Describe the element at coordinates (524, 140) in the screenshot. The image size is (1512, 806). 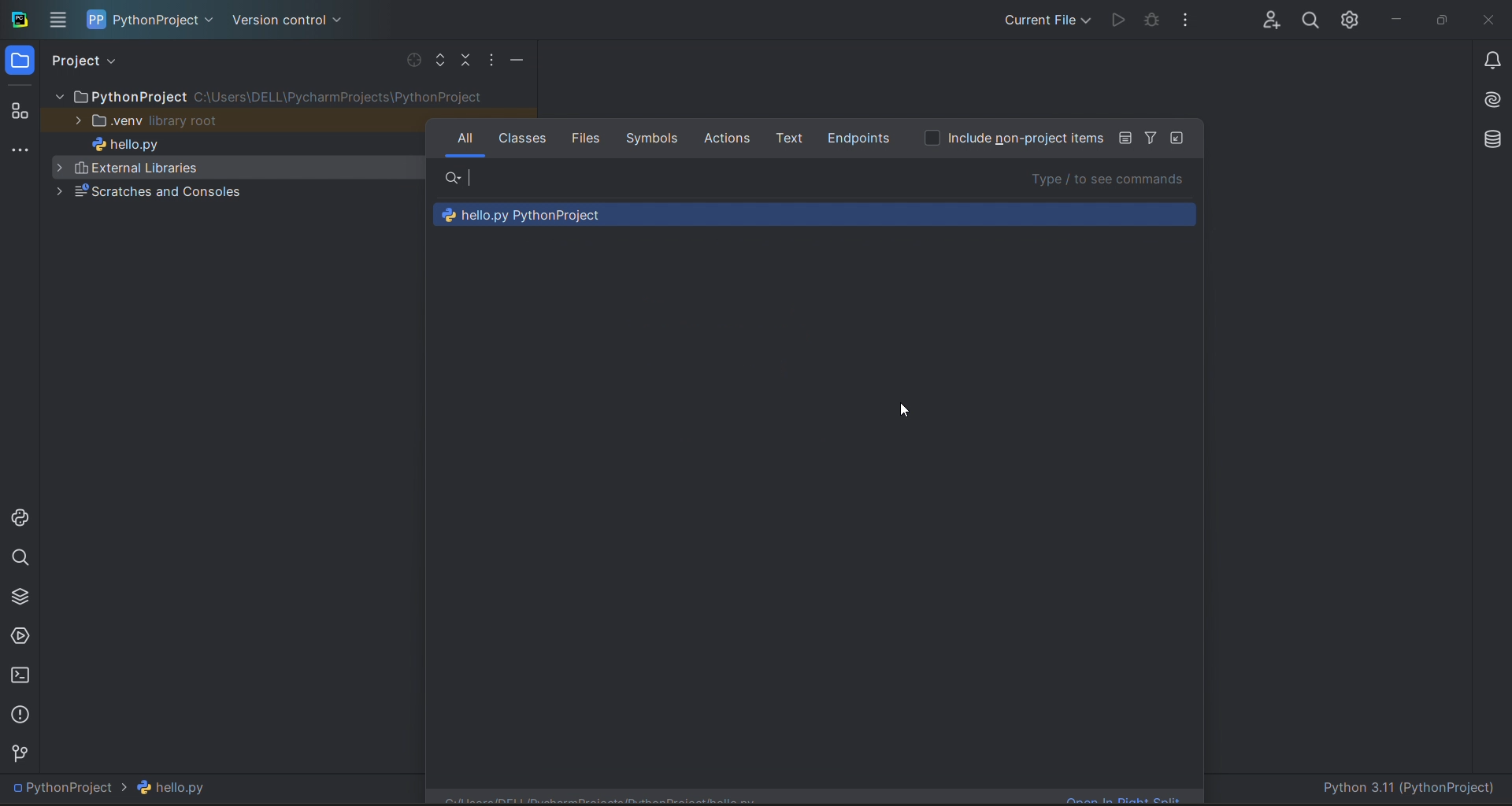
I see `classes` at that location.